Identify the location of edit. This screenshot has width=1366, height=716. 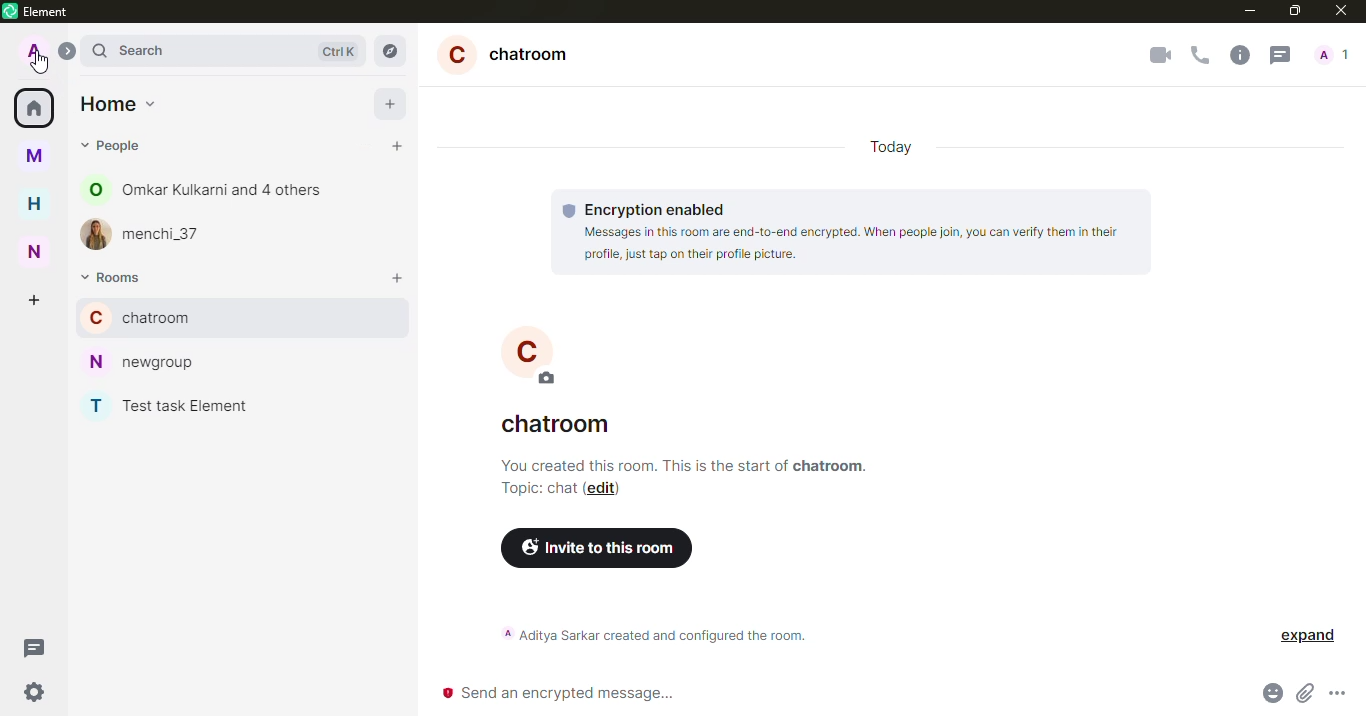
(601, 489).